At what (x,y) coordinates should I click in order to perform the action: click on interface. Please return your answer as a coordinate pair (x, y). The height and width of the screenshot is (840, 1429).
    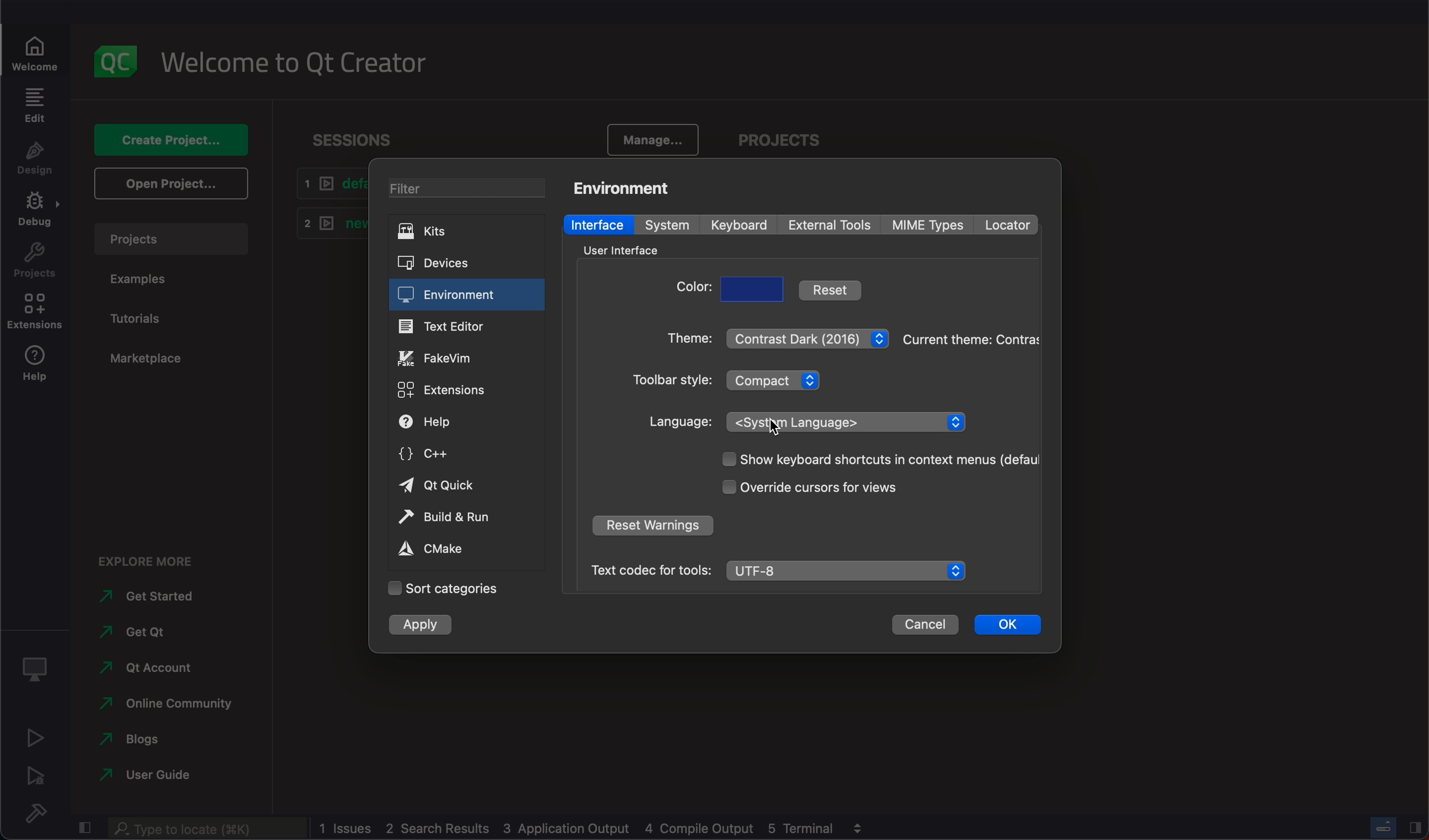
    Looking at the image, I should click on (598, 224).